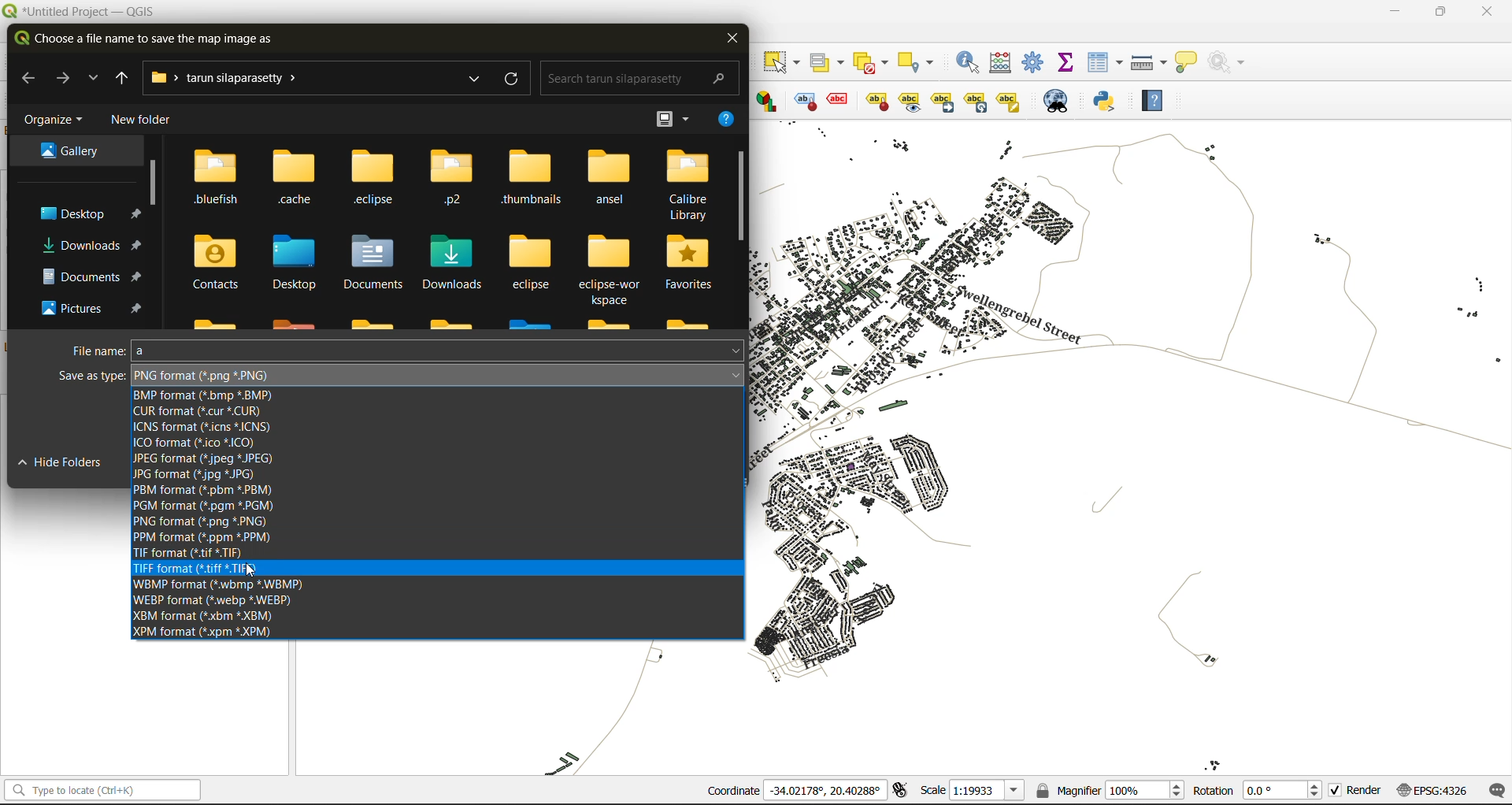  What do you see at coordinates (1110, 788) in the screenshot?
I see `magnifier` at bounding box center [1110, 788].